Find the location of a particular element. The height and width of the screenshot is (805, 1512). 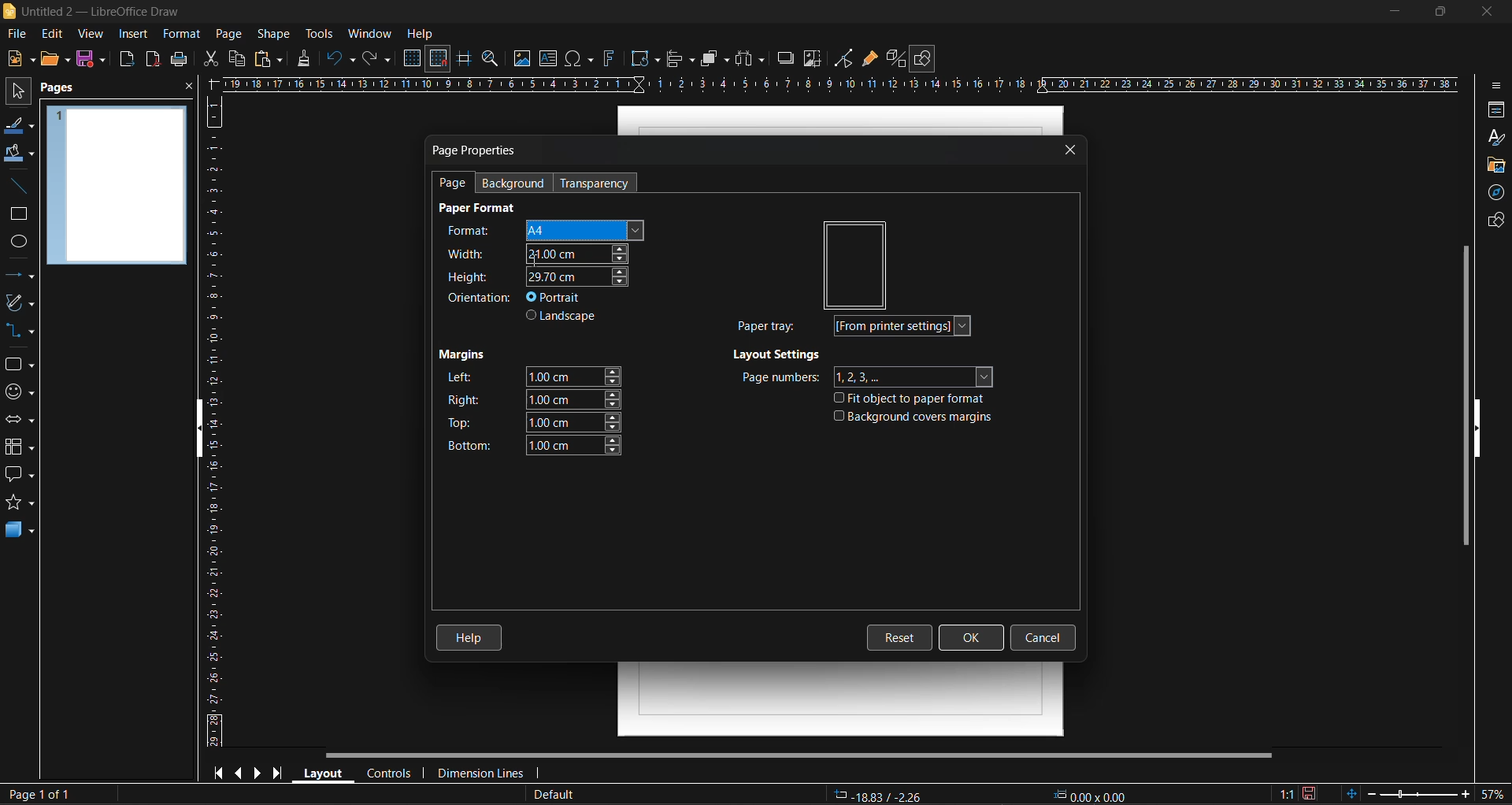

rectangle is located at coordinates (18, 216).